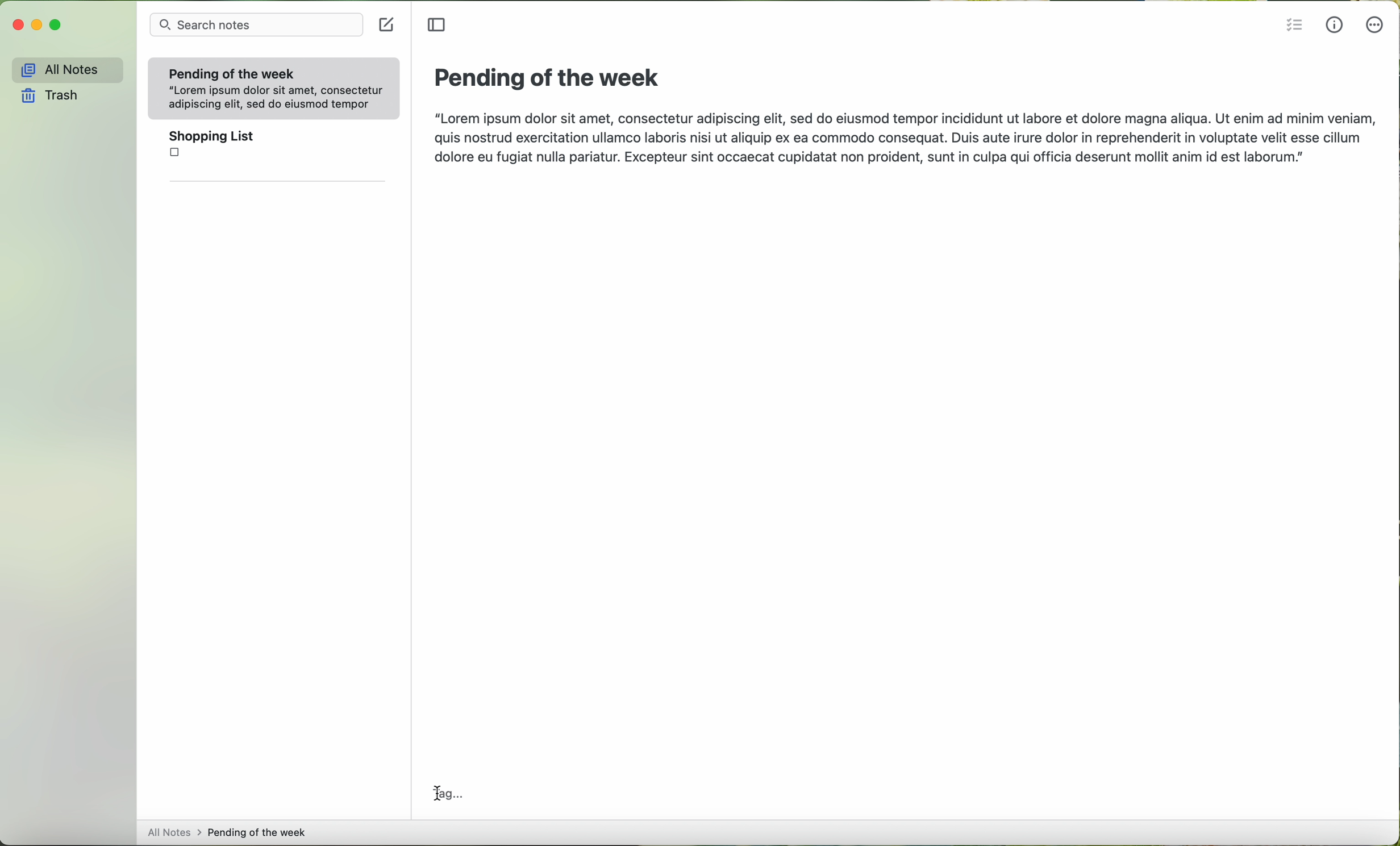  What do you see at coordinates (37, 26) in the screenshot?
I see `minimize program` at bounding box center [37, 26].